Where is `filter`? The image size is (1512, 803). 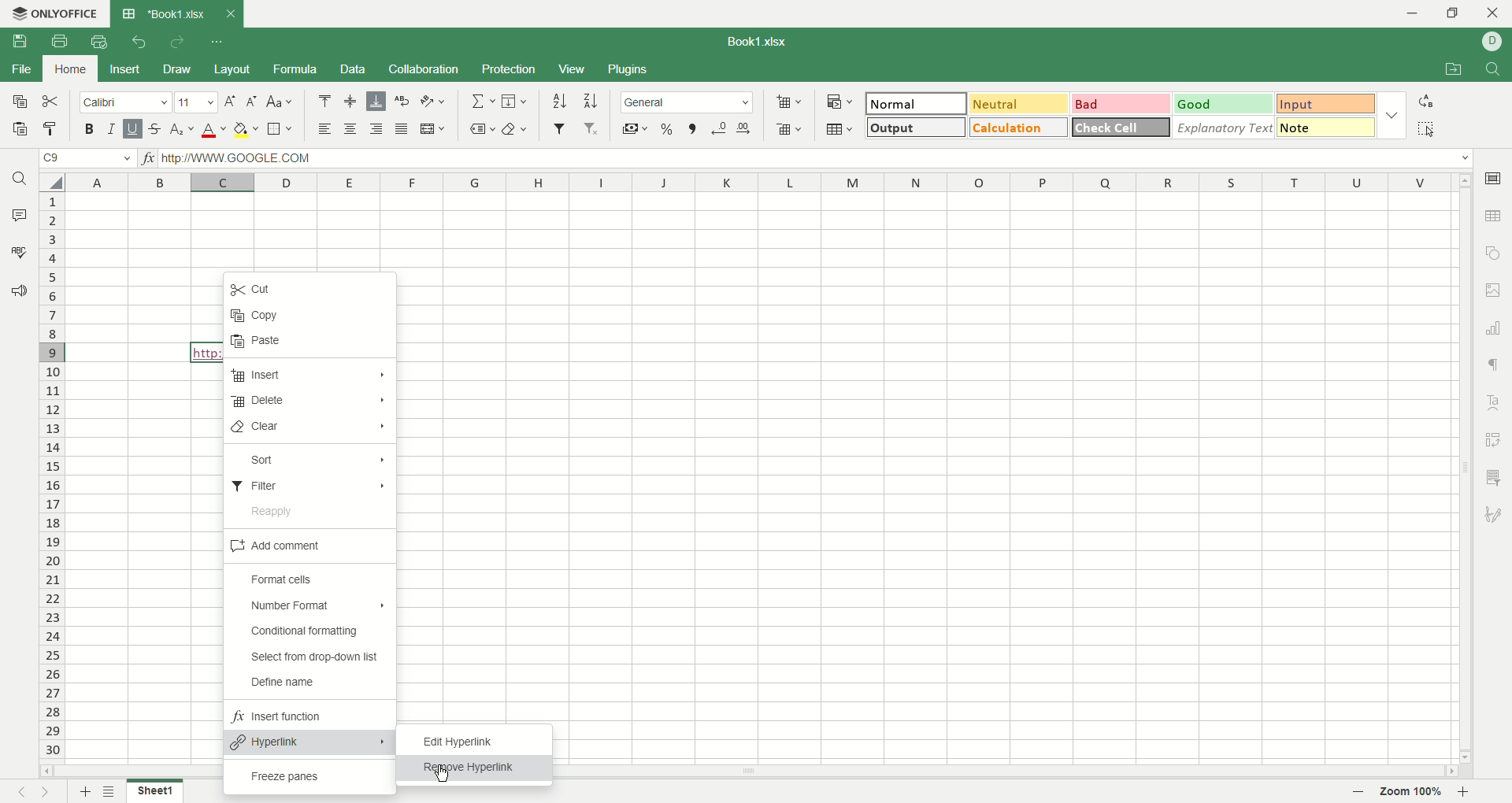
filter is located at coordinates (559, 128).